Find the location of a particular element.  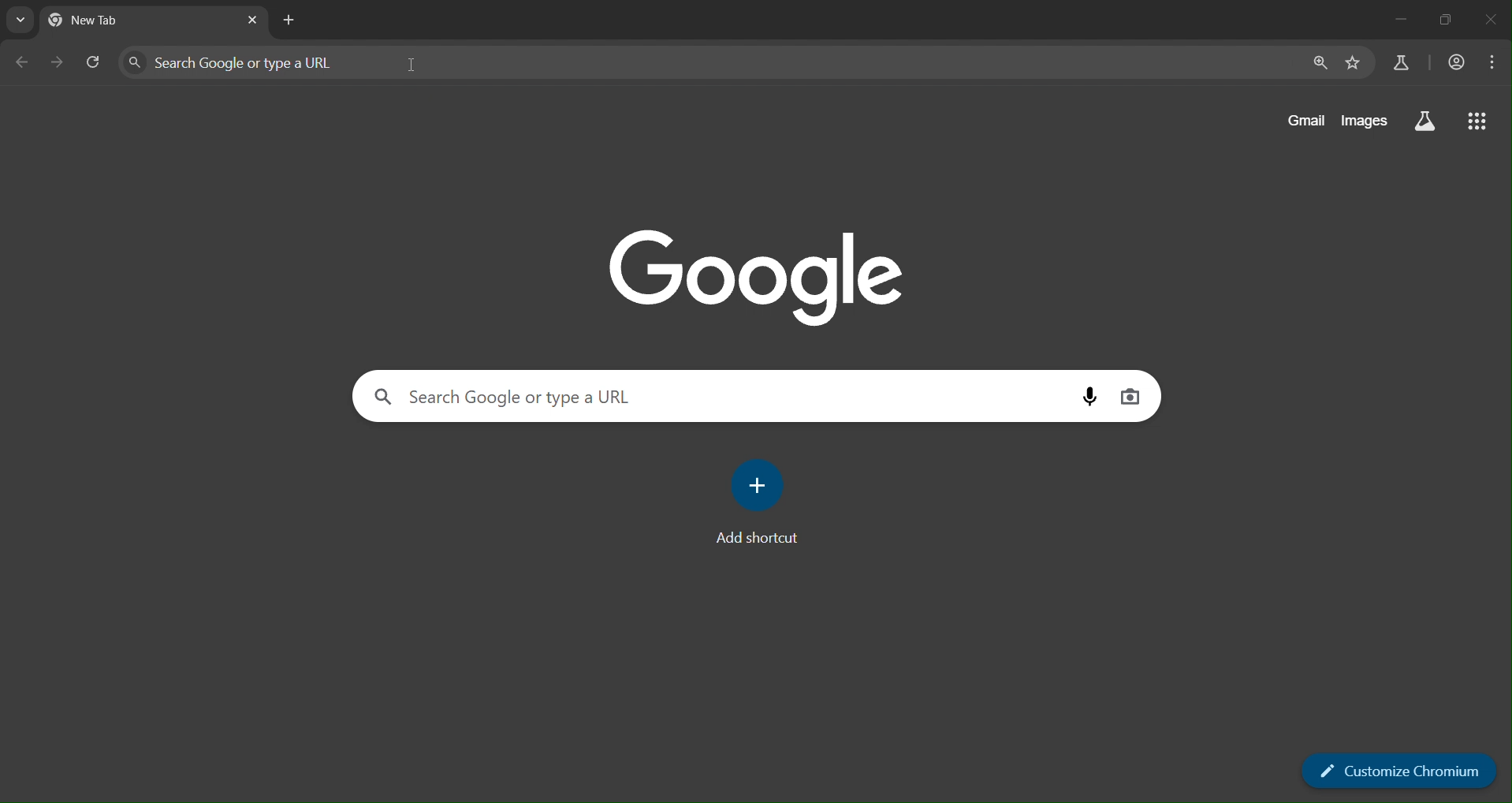

close tab is located at coordinates (254, 20).